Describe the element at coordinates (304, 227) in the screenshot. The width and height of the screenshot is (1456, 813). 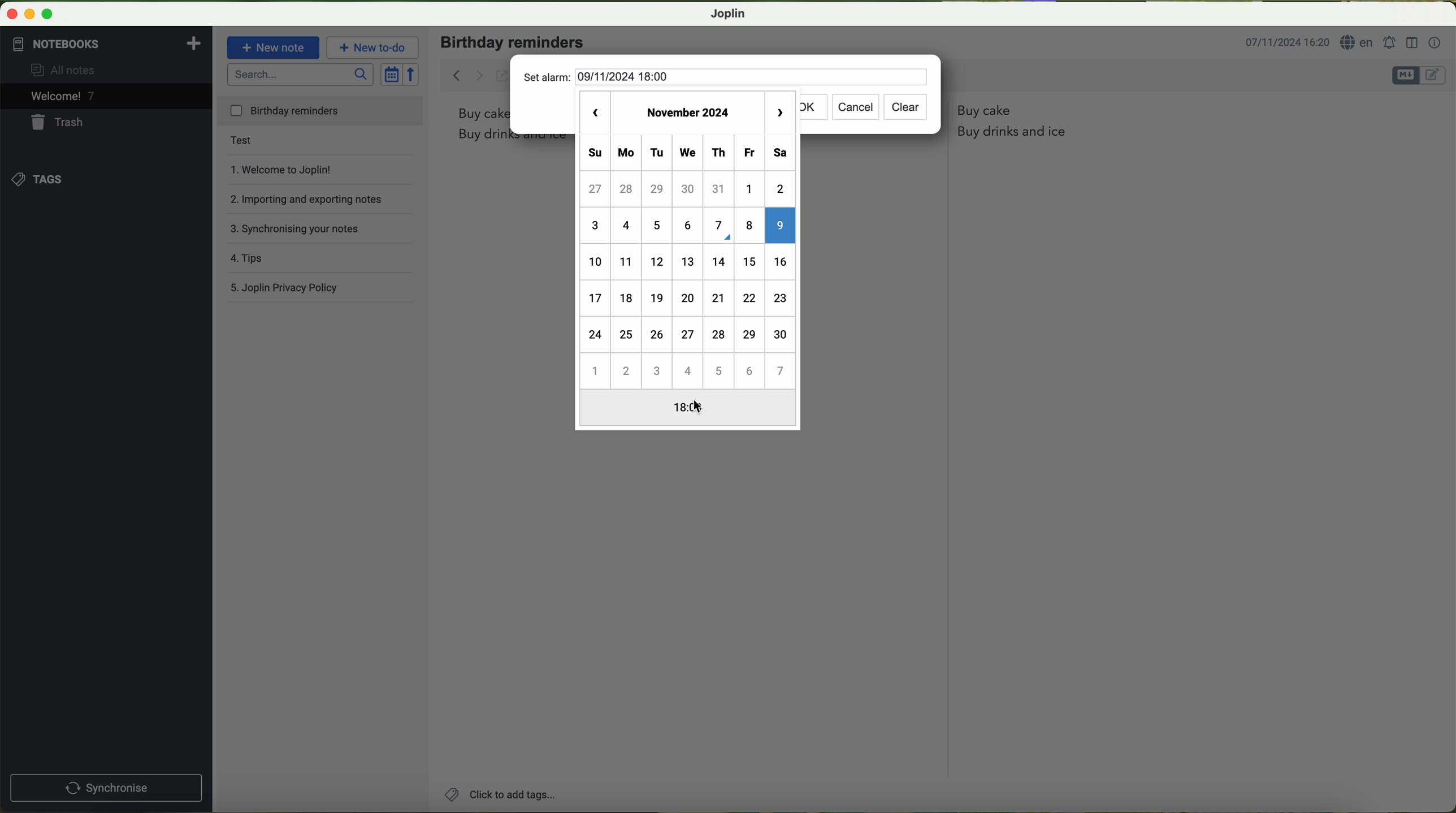
I see `synchronising your notes` at that location.